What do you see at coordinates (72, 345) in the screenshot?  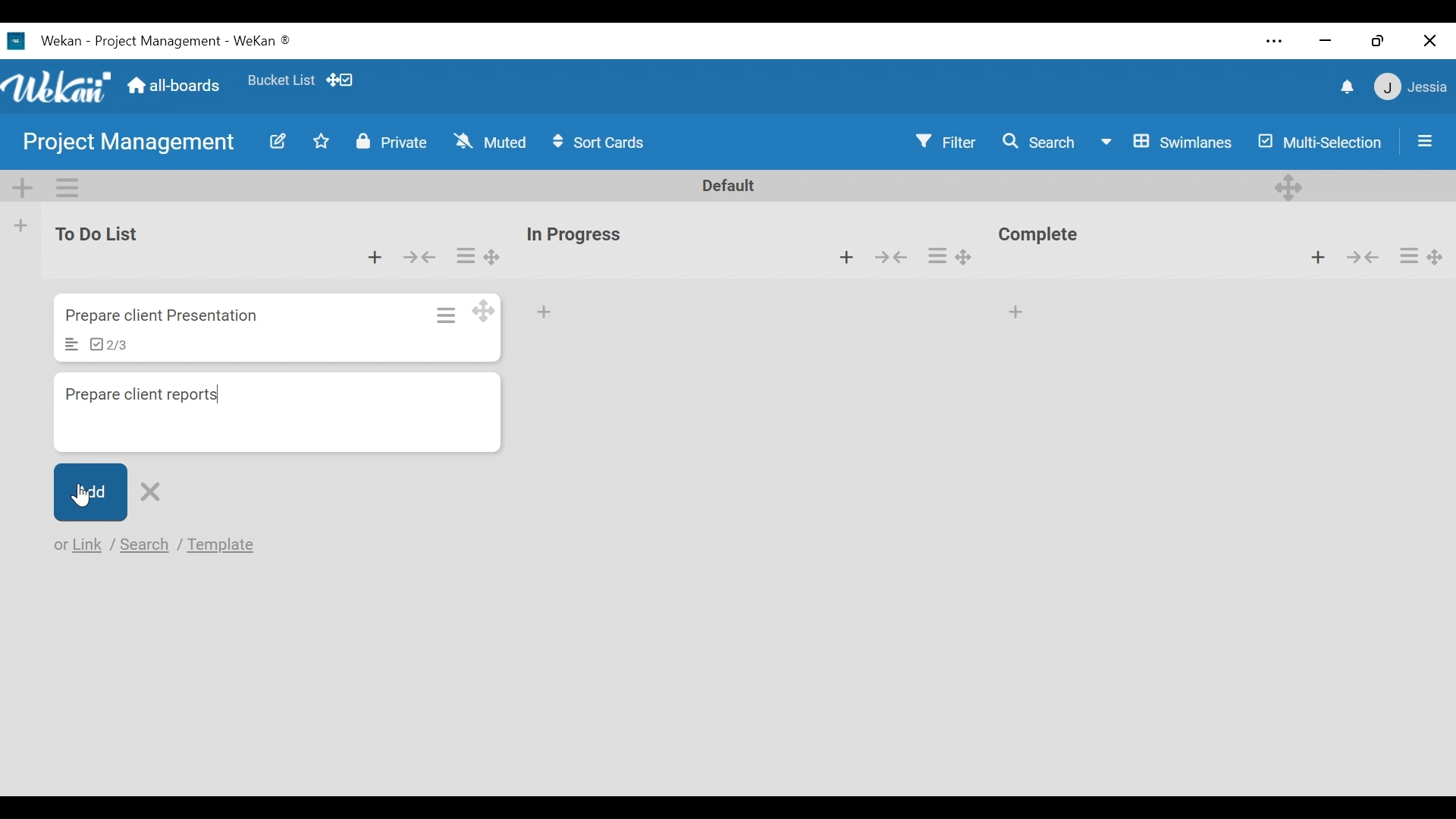 I see `Card description` at bounding box center [72, 345].